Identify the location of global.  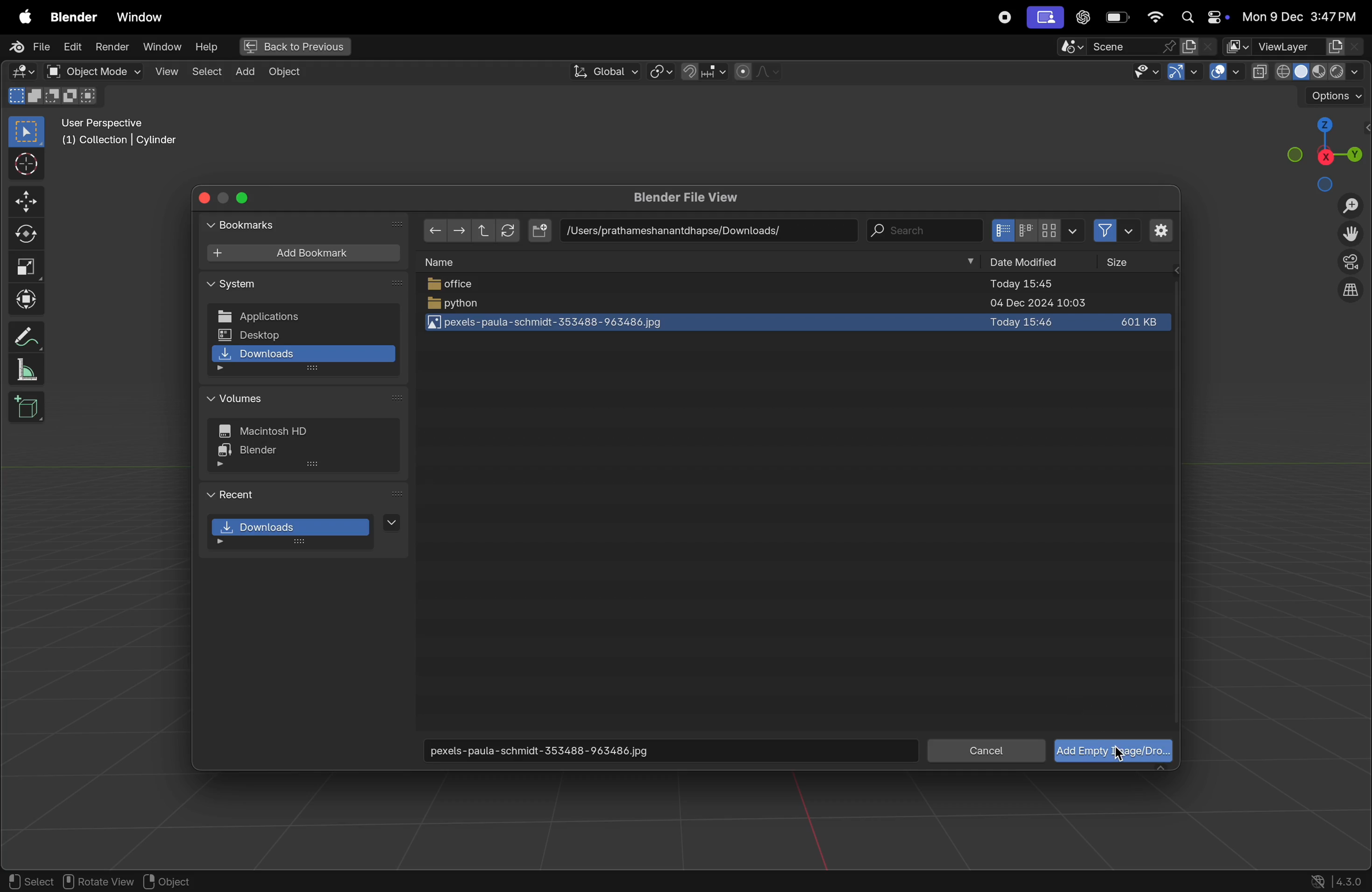
(604, 71).